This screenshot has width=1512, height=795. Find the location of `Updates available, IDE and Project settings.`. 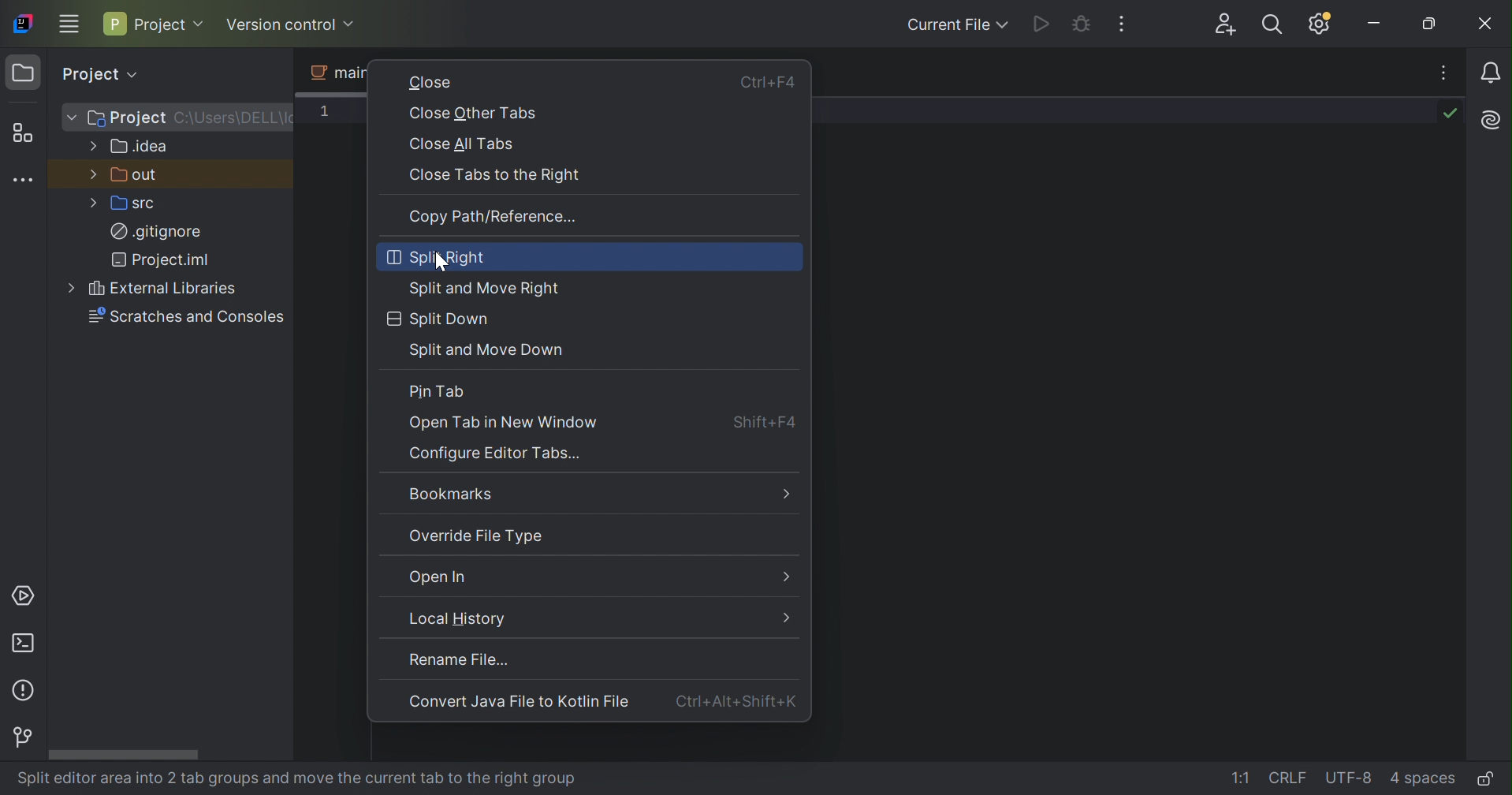

Updates available, IDE and Project settings. is located at coordinates (1320, 23).